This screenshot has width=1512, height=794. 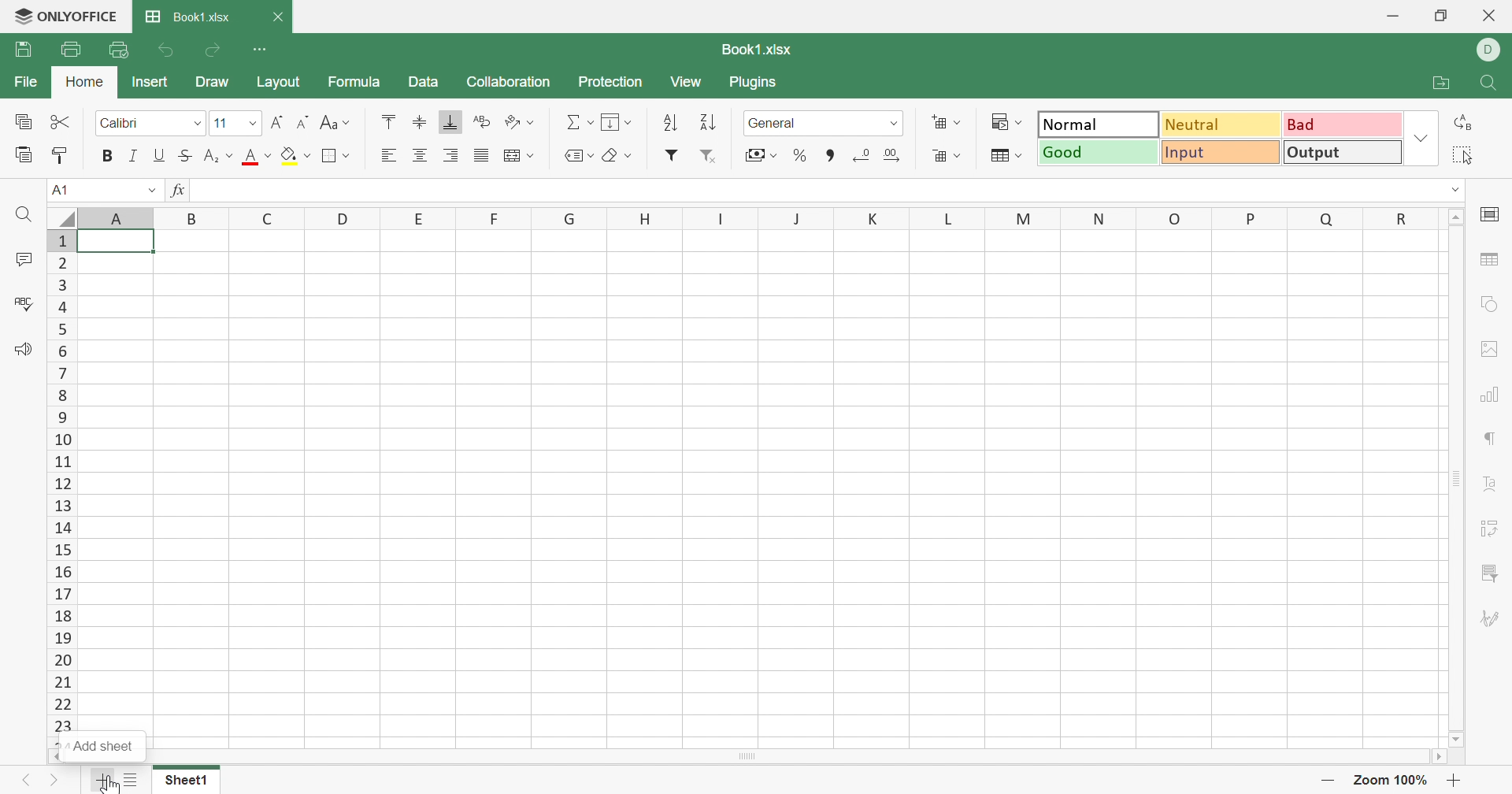 What do you see at coordinates (62, 157) in the screenshot?
I see `Copy Style` at bounding box center [62, 157].